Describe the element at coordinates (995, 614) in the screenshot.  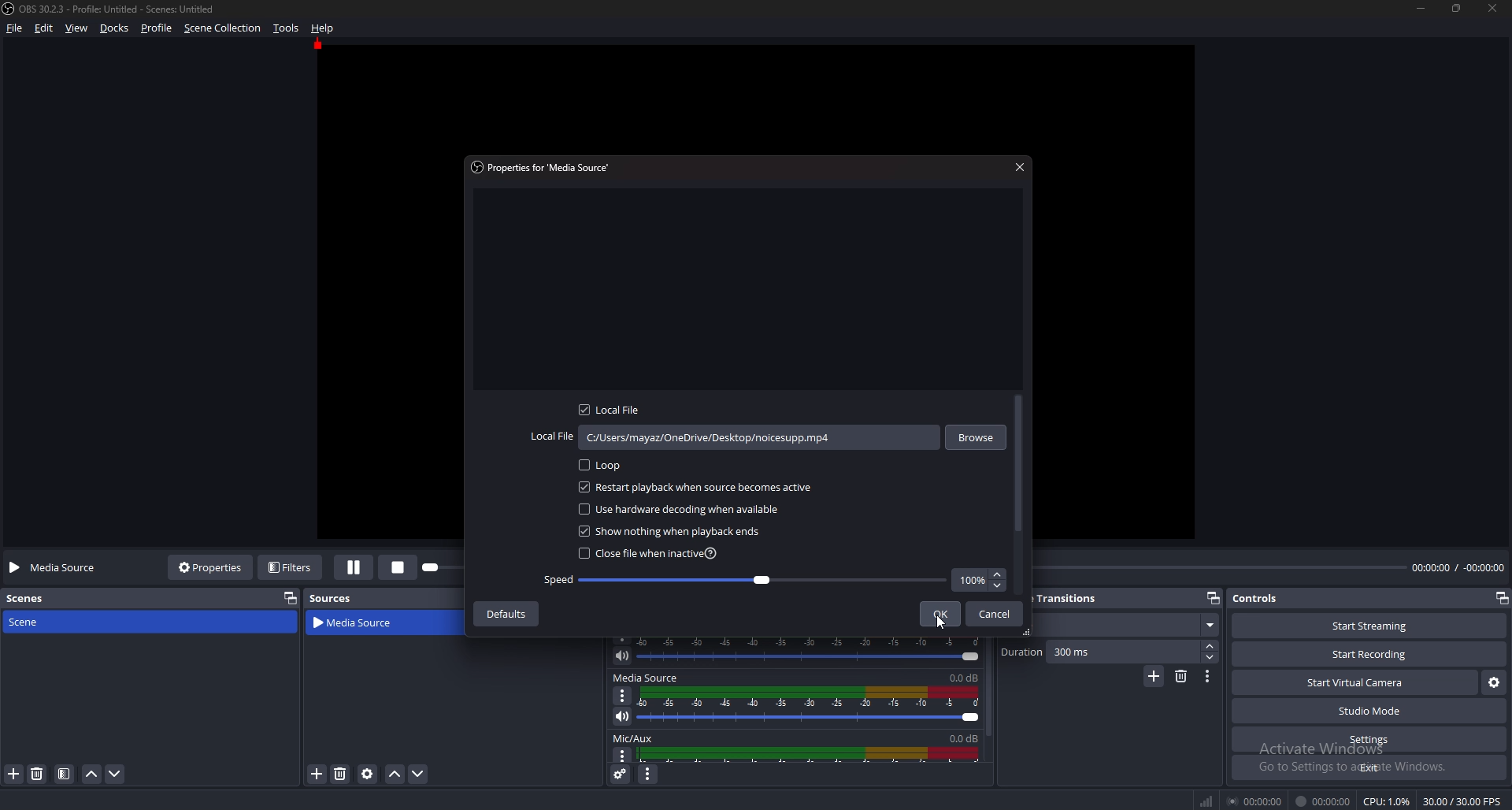
I see `Cancel` at that location.